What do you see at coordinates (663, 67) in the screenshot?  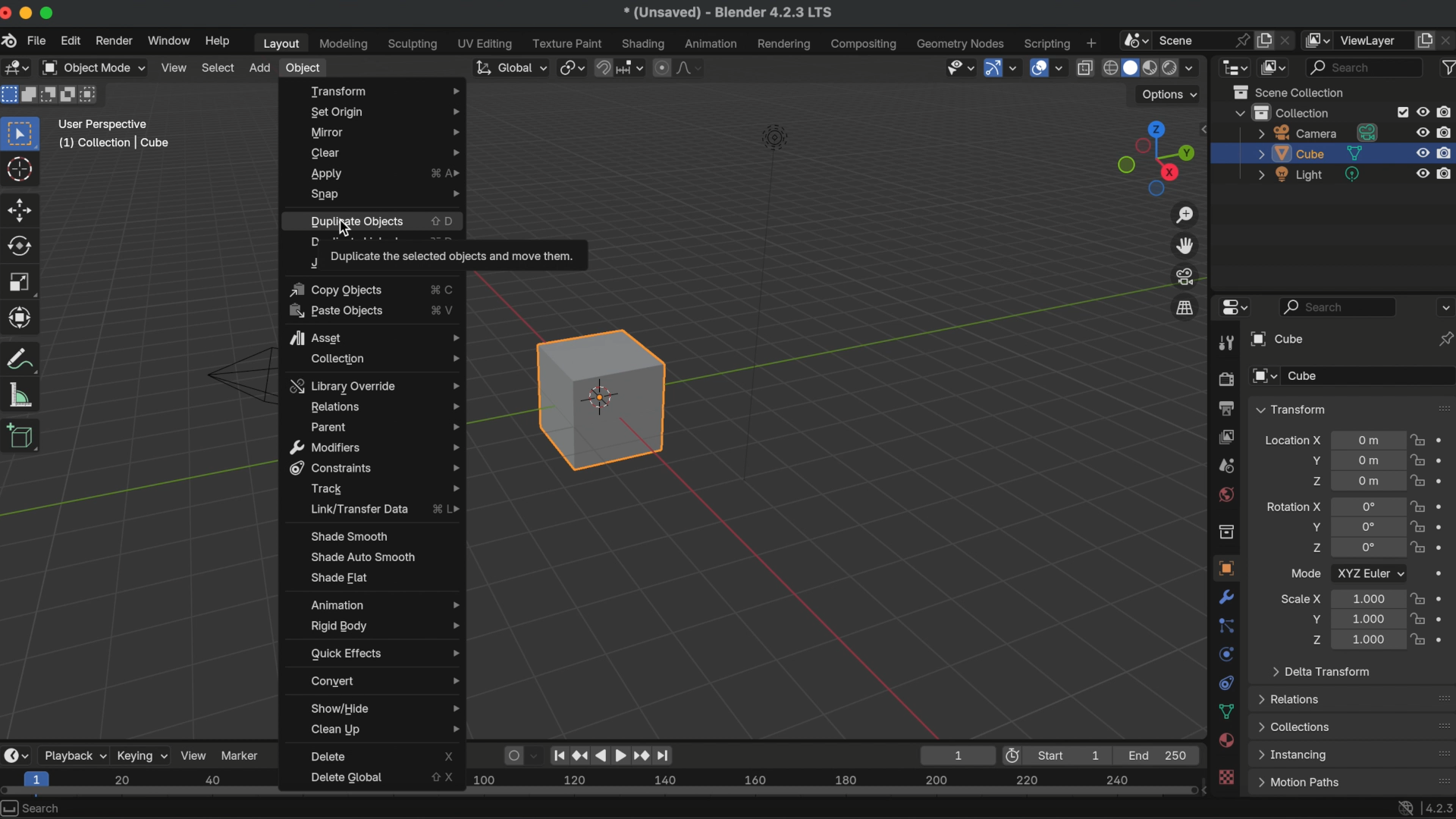 I see `proportional editing objects` at bounding box center [663, 67].